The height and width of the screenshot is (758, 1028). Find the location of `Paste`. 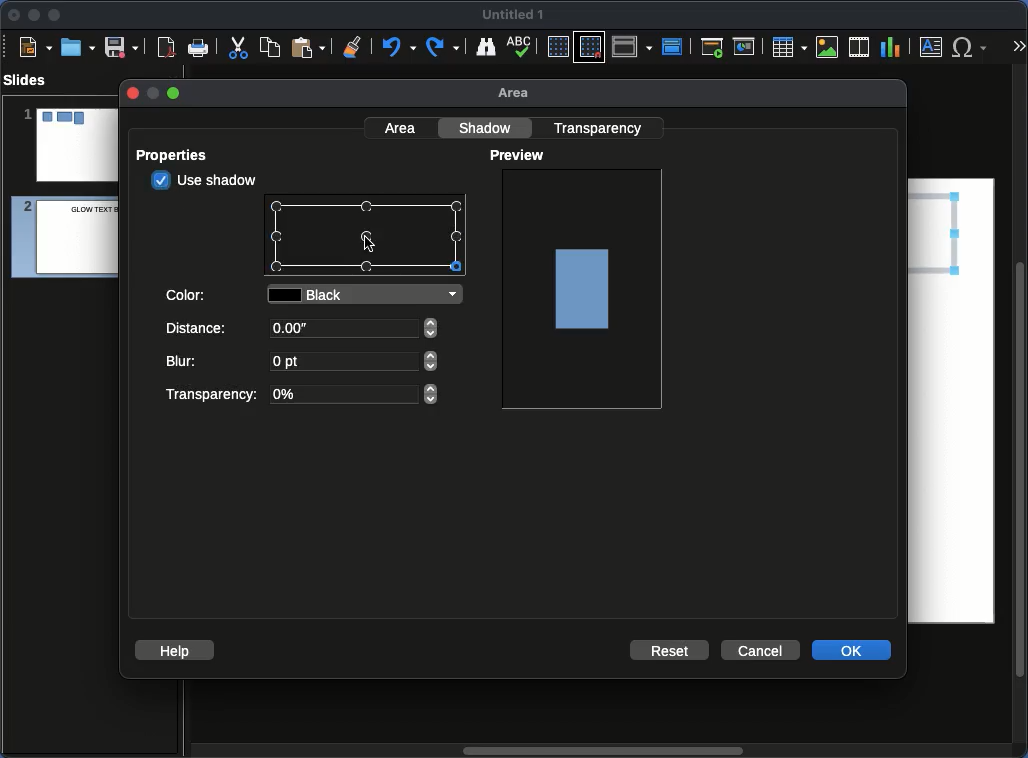

Paste is located at coordinates (308, 46).